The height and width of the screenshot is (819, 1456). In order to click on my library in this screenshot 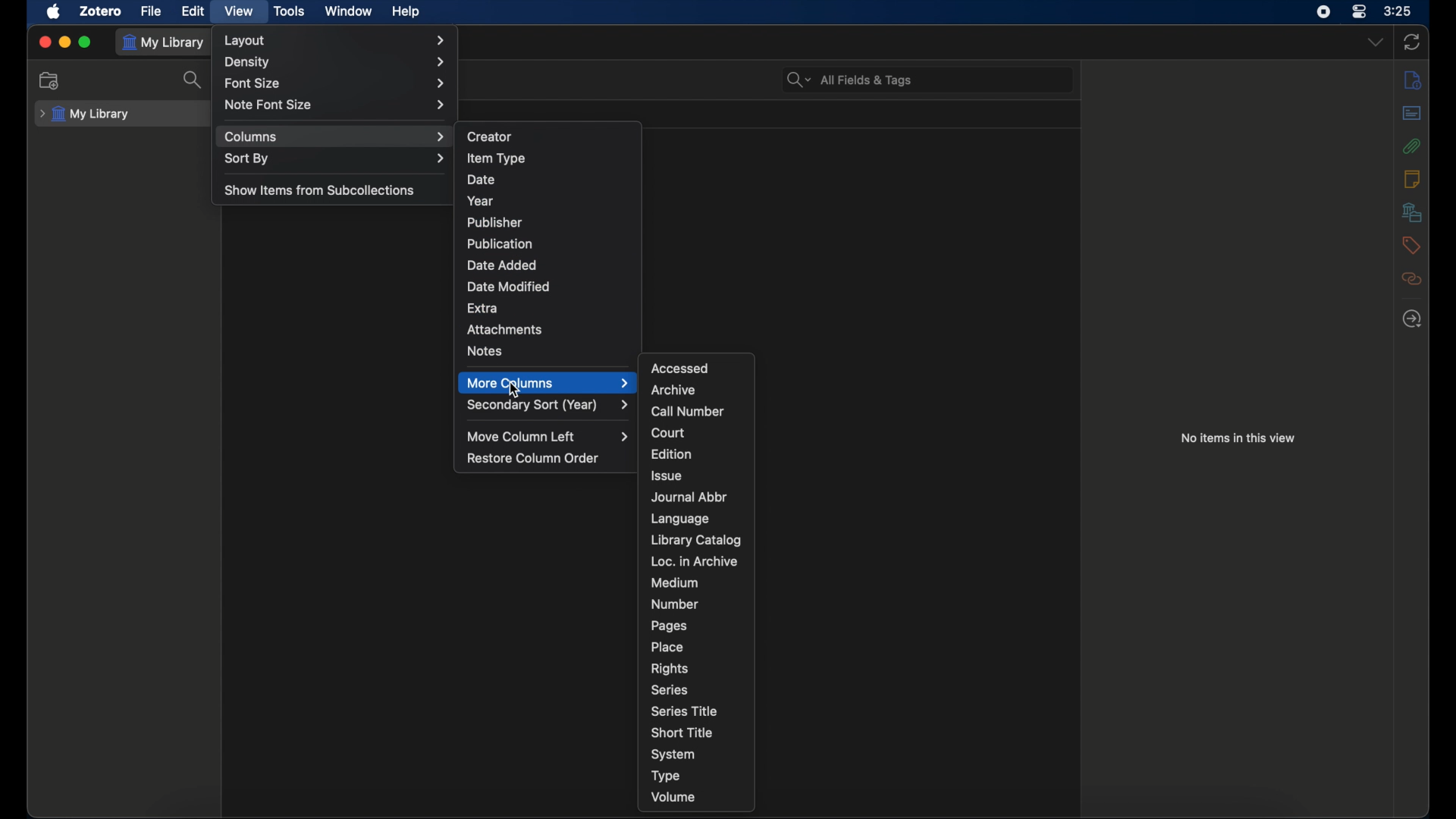, I will do `click(165, 42)`.